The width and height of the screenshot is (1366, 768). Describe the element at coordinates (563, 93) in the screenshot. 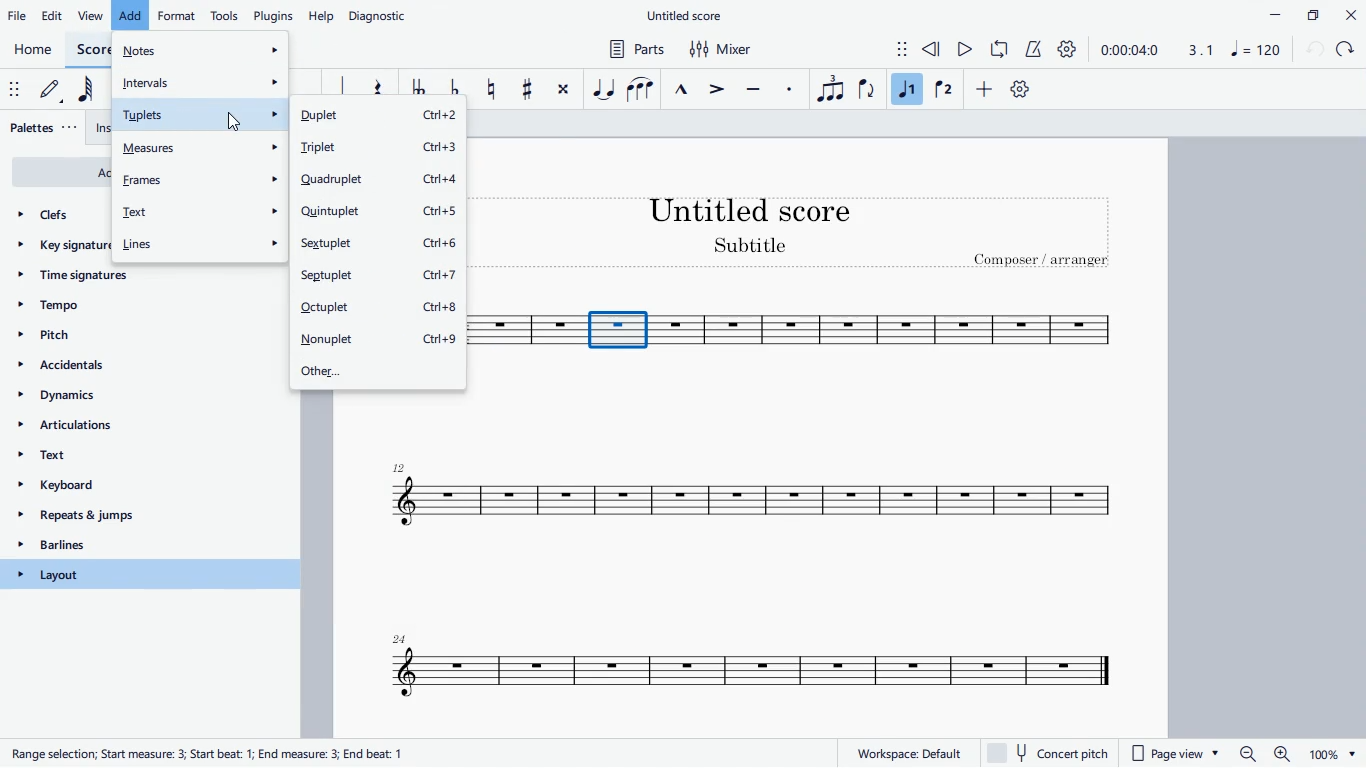

I see `toggle double sharp` at that location.